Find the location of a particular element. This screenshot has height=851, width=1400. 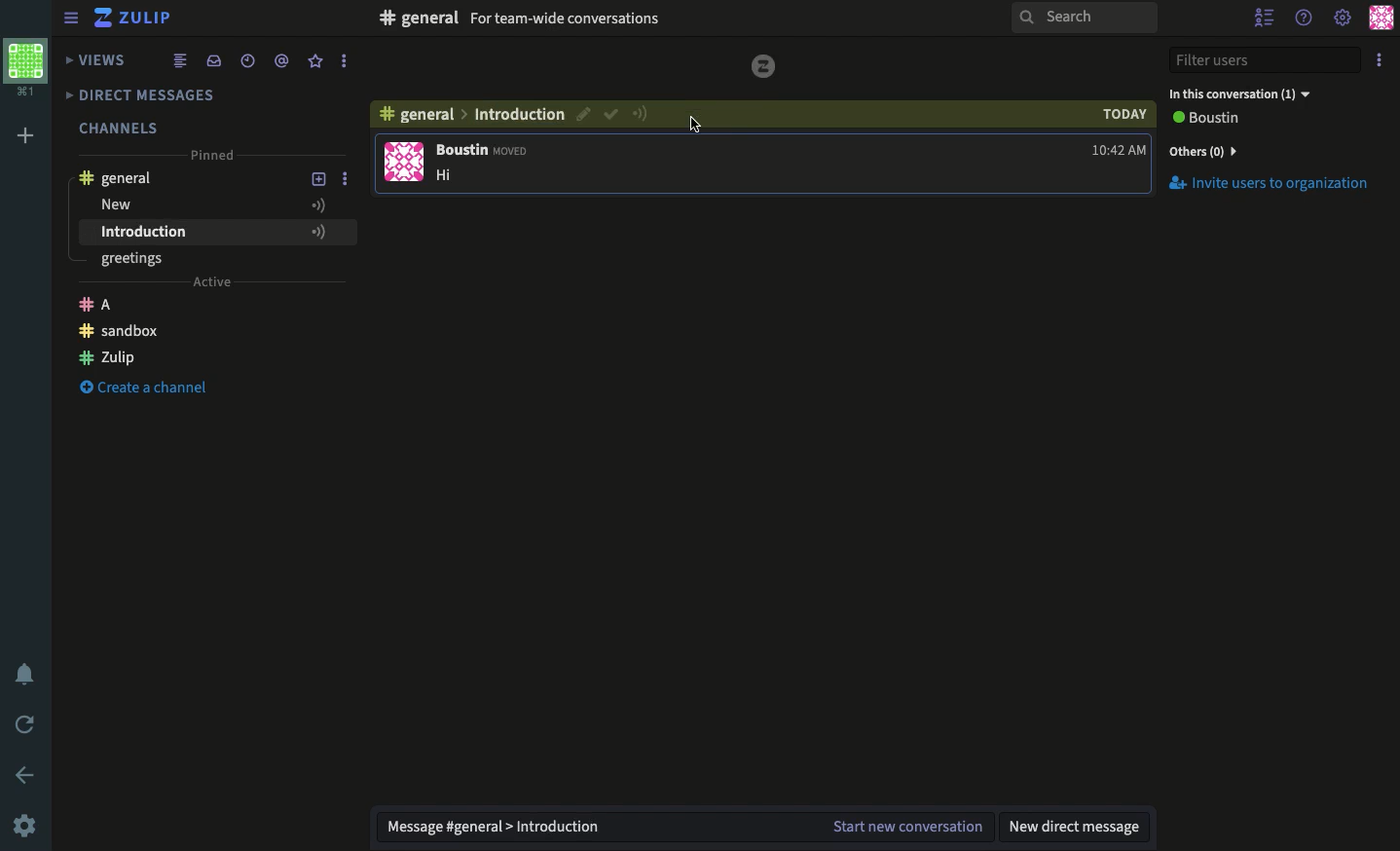

Edit is located at coordinates (698, 125).